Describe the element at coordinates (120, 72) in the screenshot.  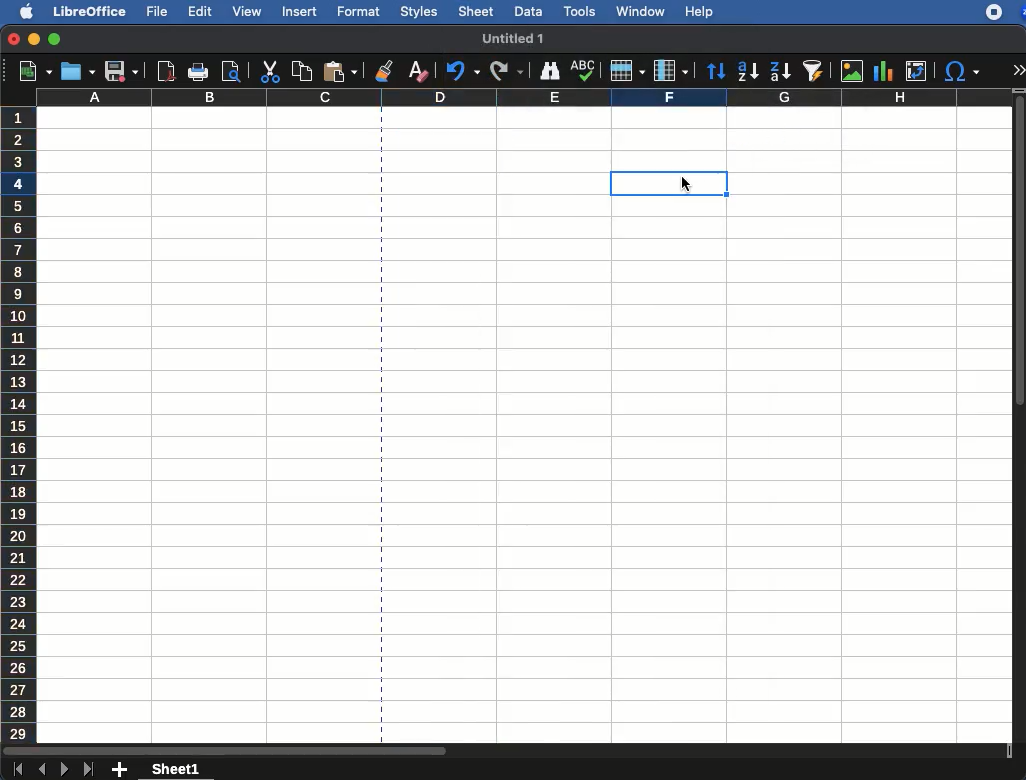
I see `save` at that location.